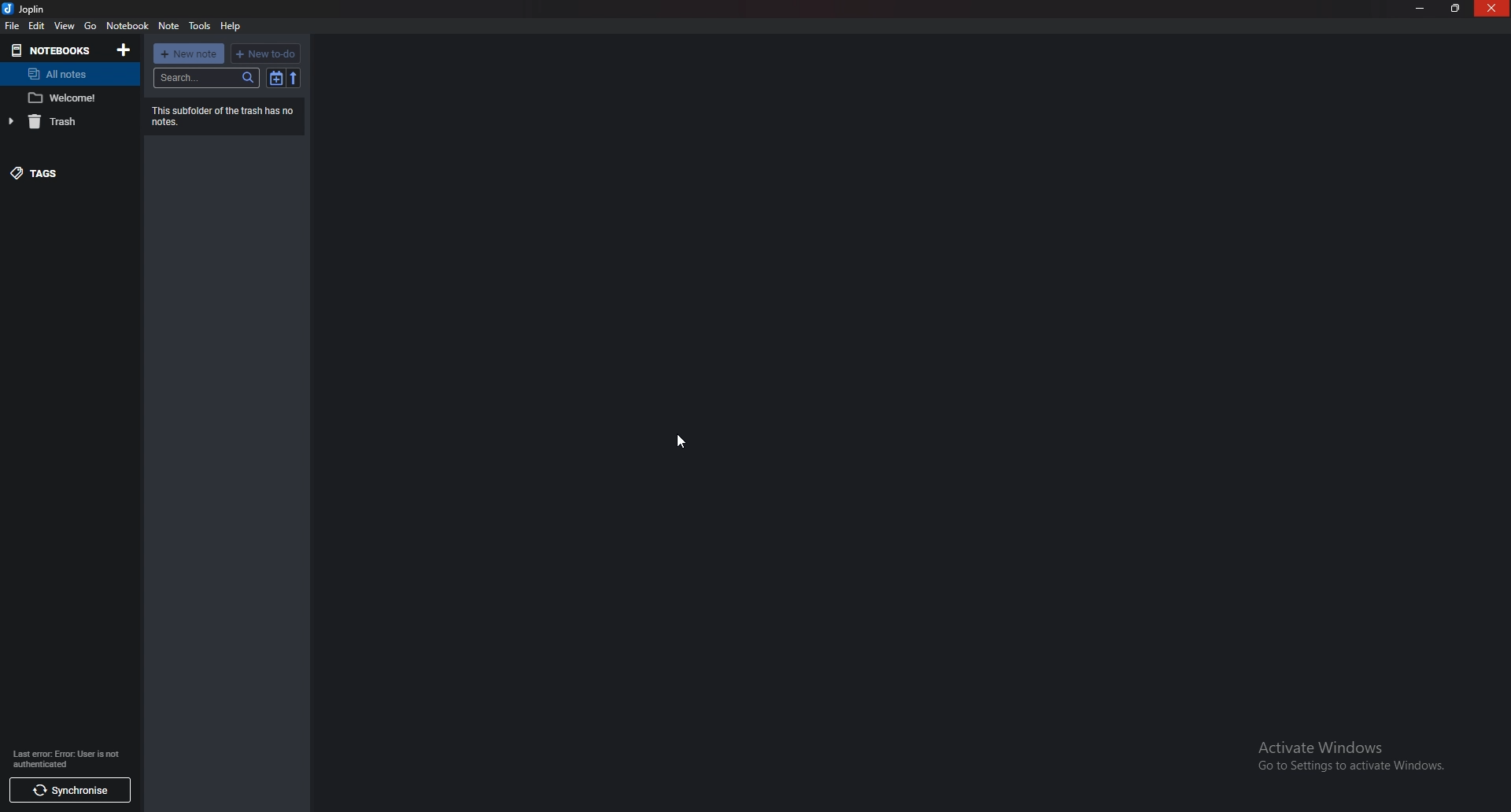  I want to click on Notebooks, so click(50, 50).